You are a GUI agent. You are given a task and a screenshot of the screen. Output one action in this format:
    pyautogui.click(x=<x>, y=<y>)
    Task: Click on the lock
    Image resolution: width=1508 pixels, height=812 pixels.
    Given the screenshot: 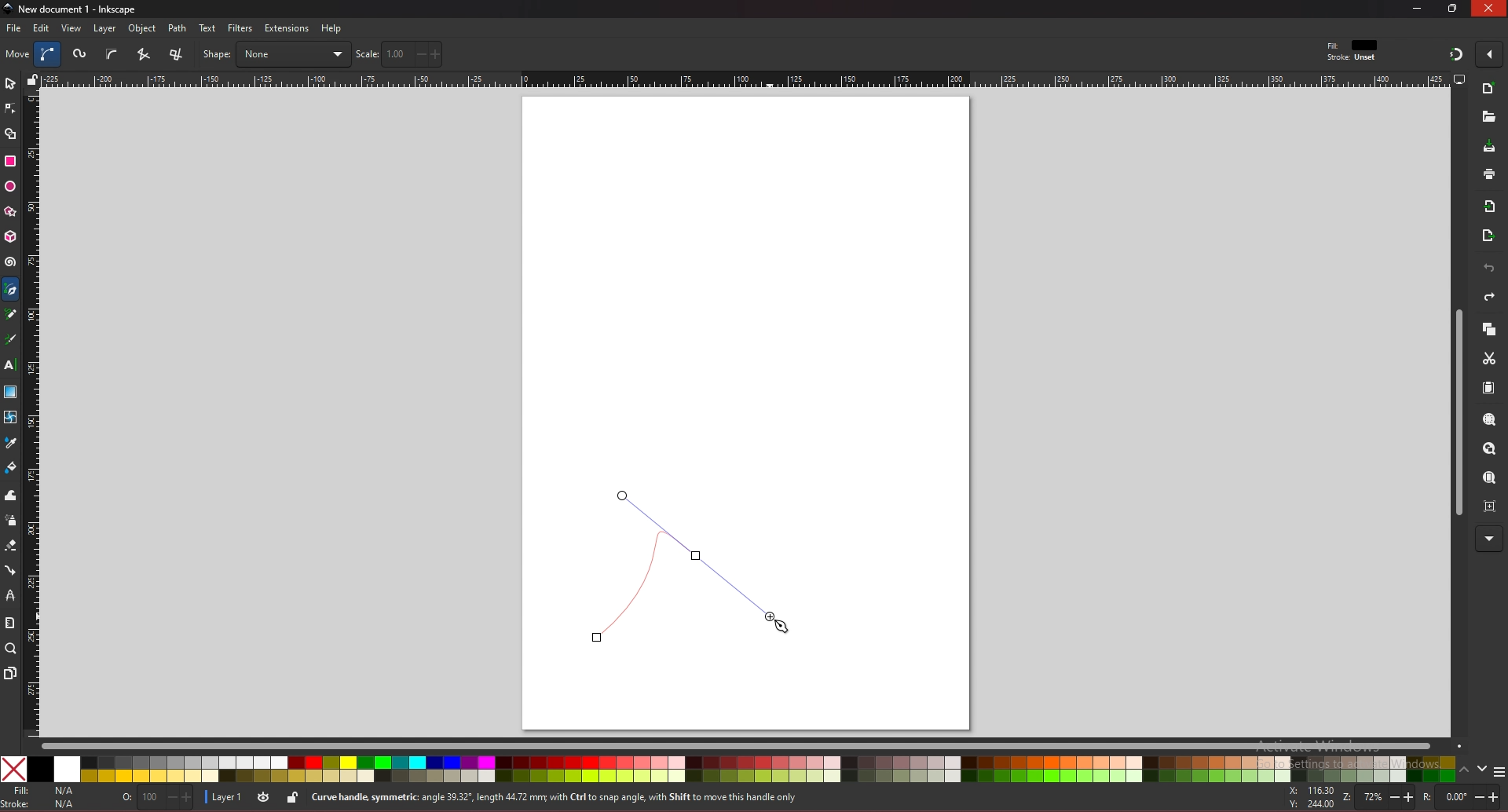 What is the action you would take?
    pyautogui.click(x=292, y=797)
    